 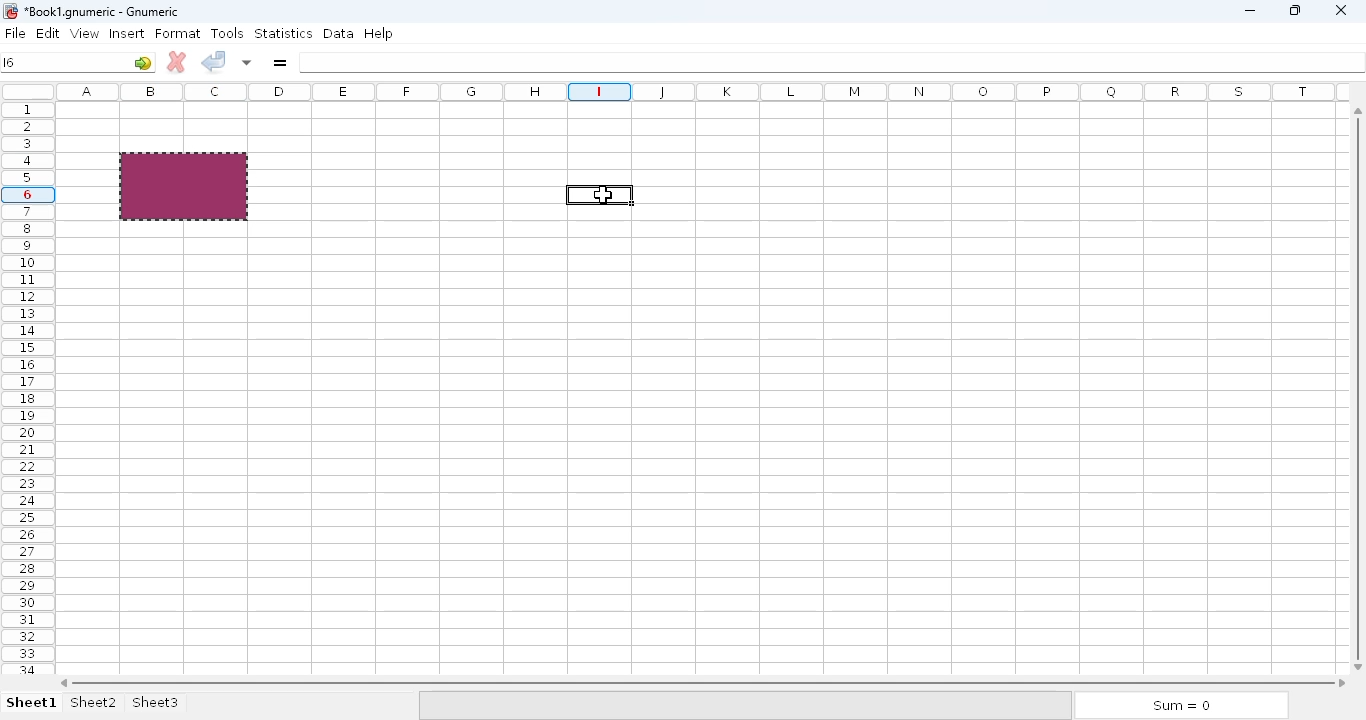 What do you see at coordinates (704, 92) in the screenshot?
I see `columns` at bounding box center [704, 92].